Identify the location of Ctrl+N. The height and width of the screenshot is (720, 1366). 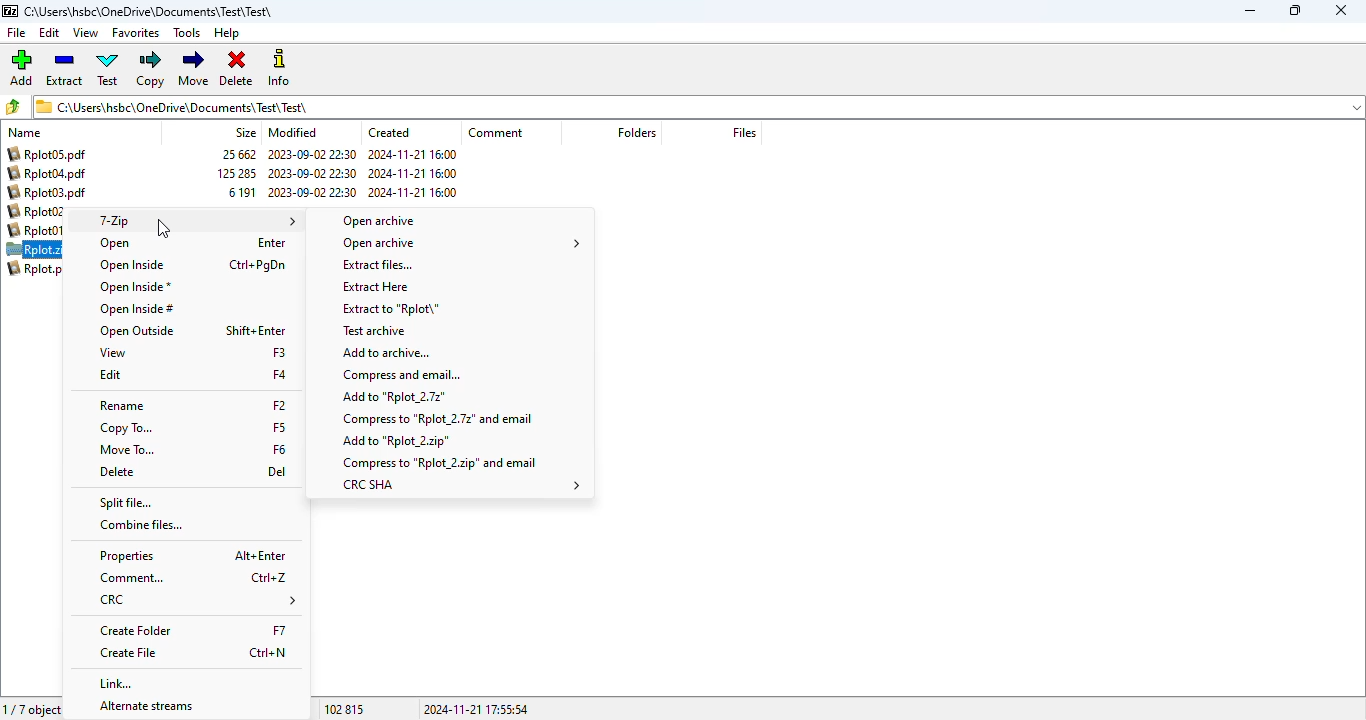
(271, 653).